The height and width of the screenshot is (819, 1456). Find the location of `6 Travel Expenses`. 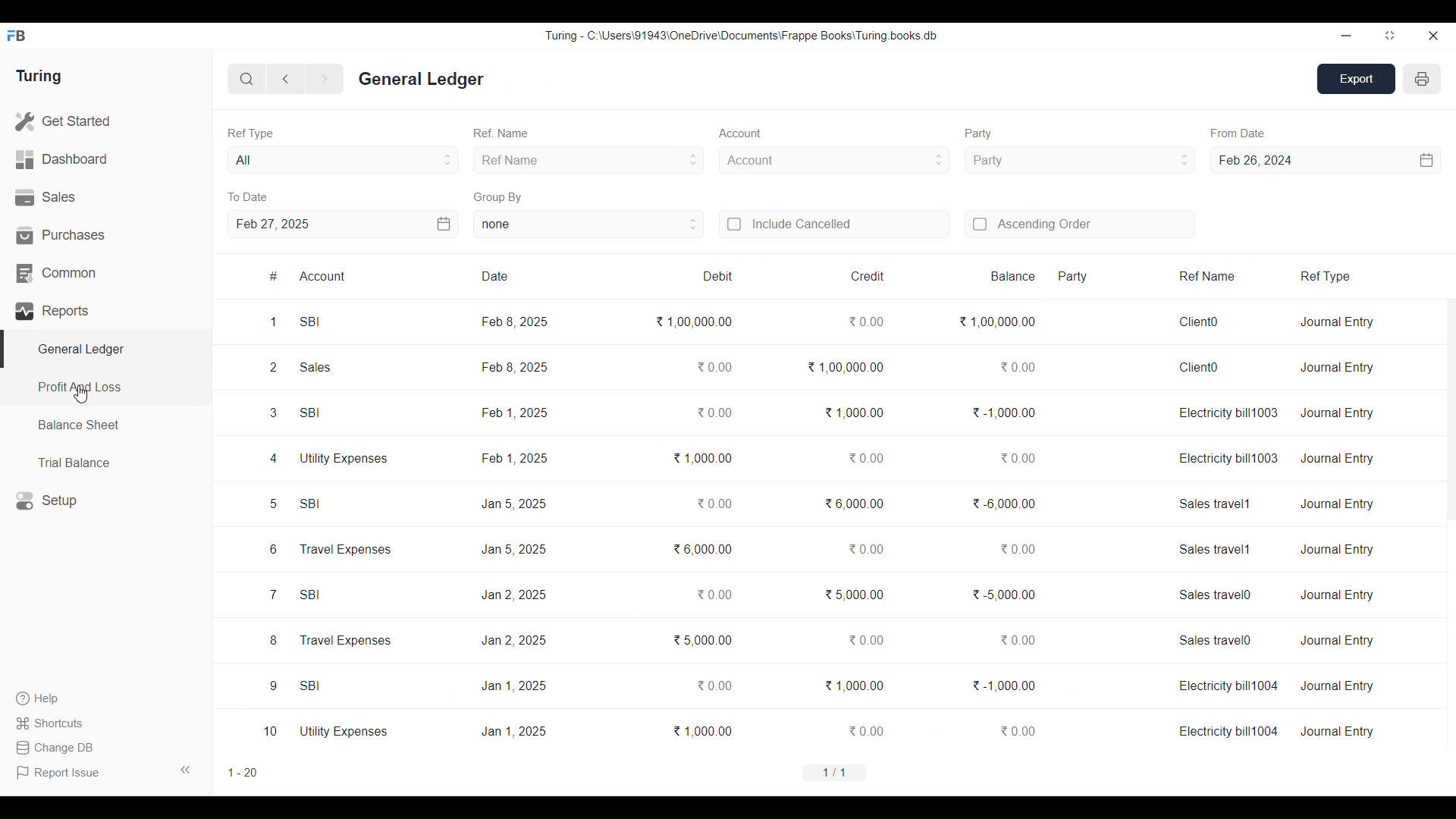

6 Travel Expenses is located at coordinates (329, 550).